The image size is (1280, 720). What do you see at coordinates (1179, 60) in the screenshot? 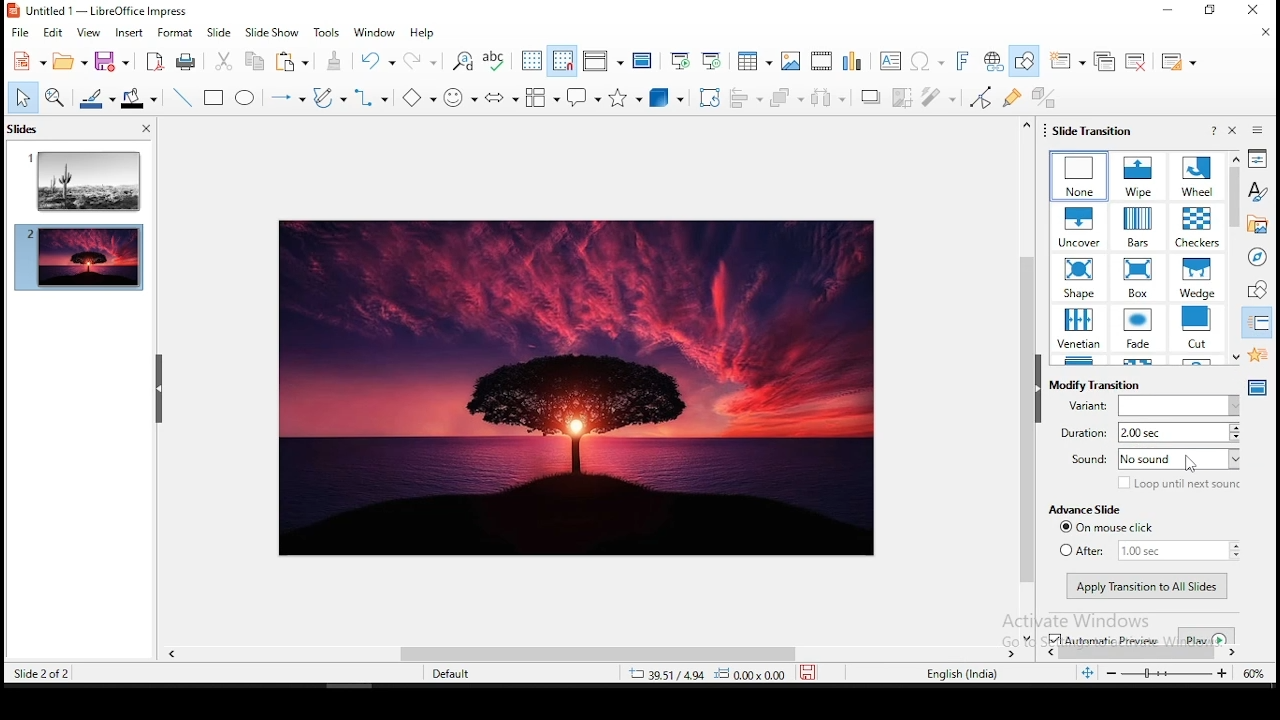
I see `slide layout` at bounding box center [1179, 60].